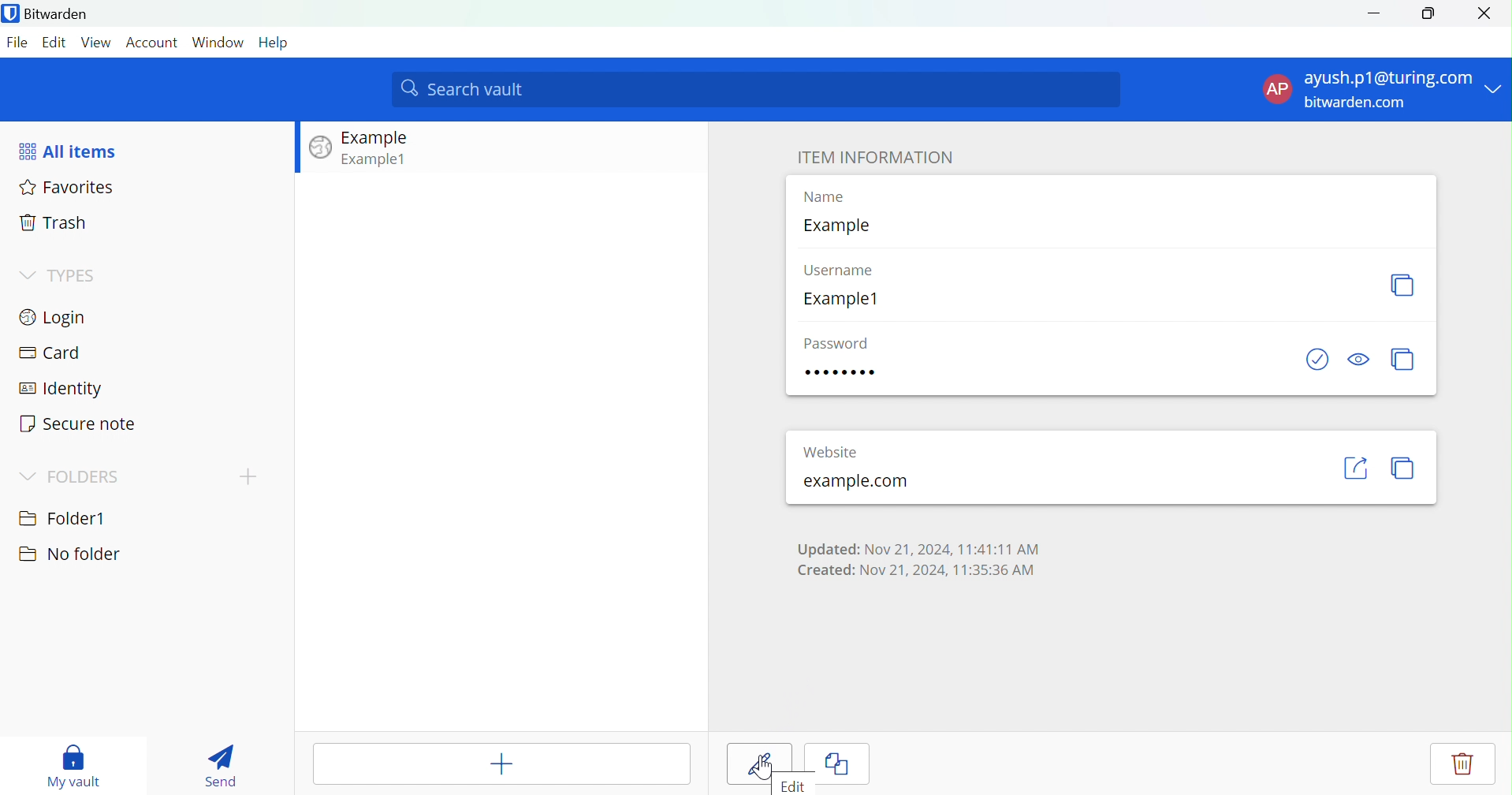 Image resolution: width=1512 pixels, height=795 pixels. Describe the element at coordinates (795, 786) in the screenshot. I see `Edit` at that location.